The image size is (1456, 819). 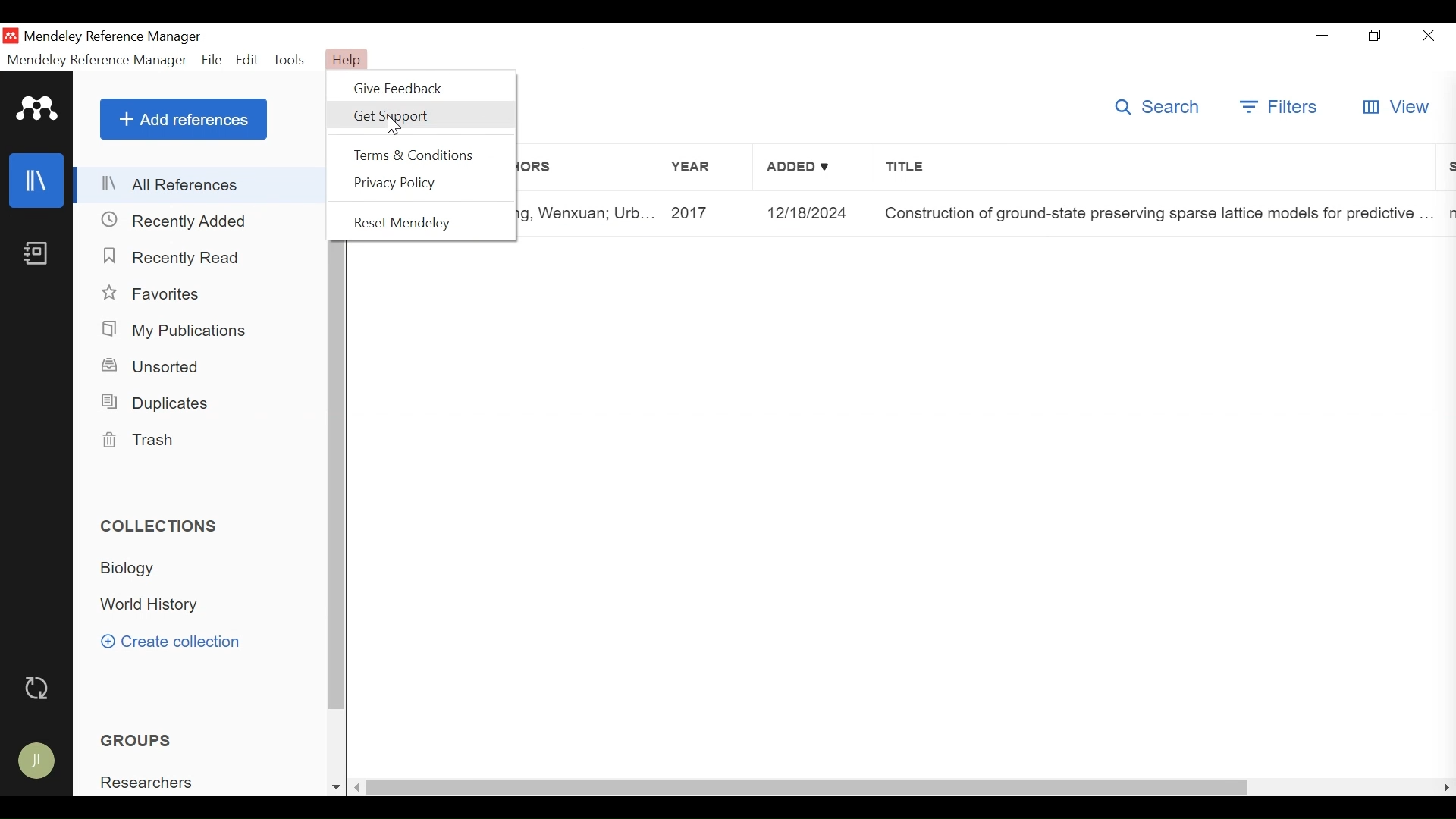 I want to click on Give Feedback, so click(x=406, y=87).